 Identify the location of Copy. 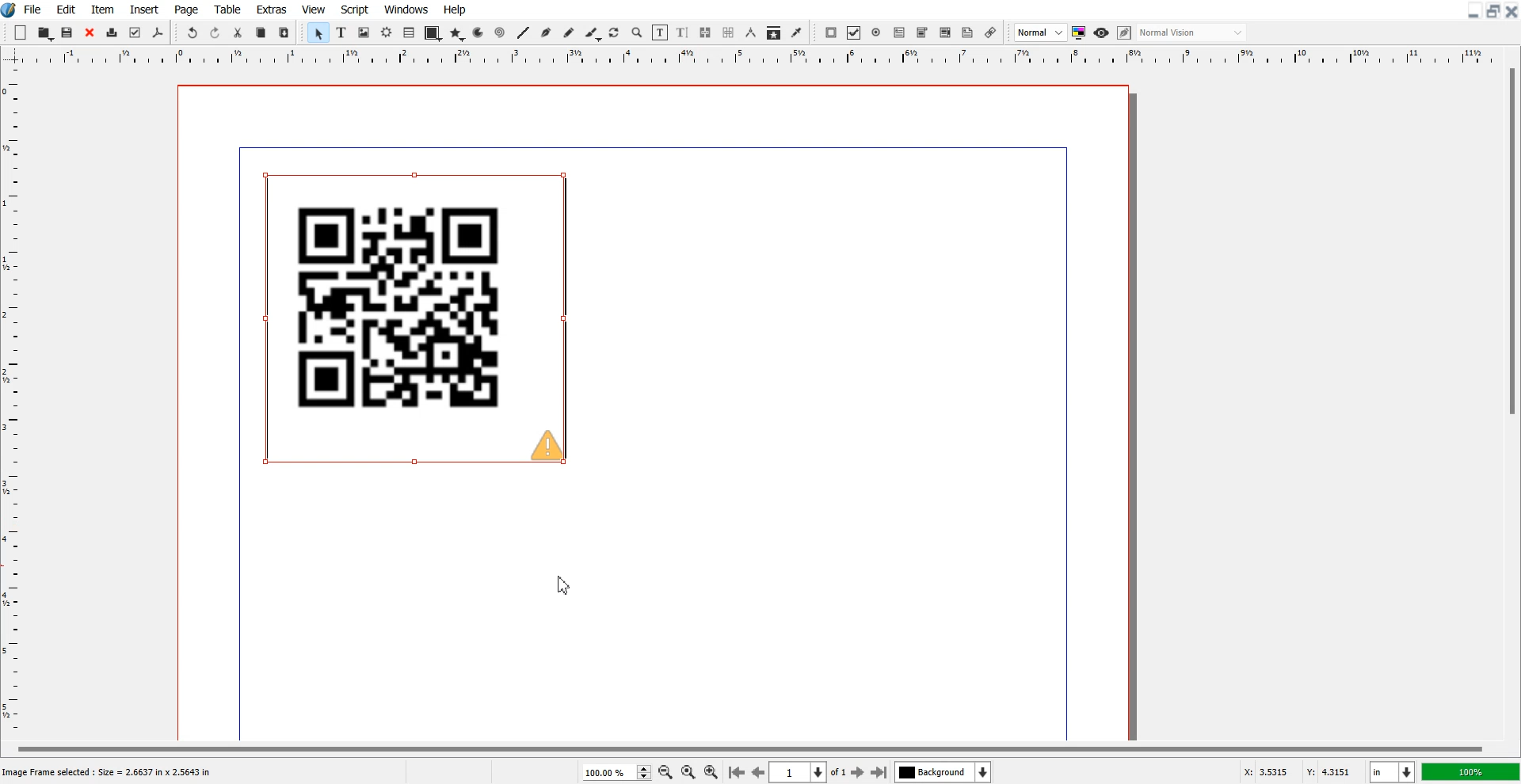
(261, 32).